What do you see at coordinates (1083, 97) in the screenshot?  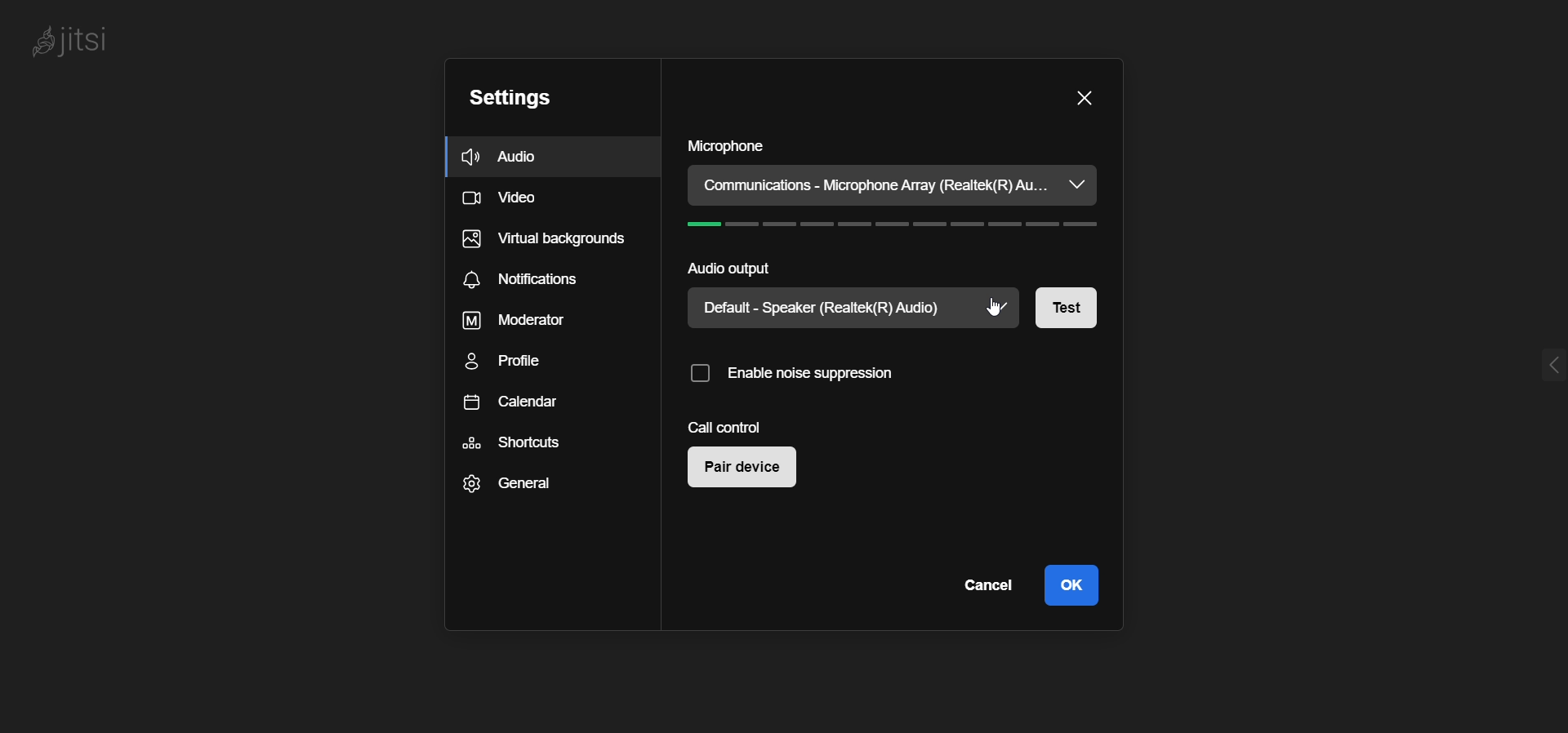 I see `close dialog` at bounding box center [1083, 97].